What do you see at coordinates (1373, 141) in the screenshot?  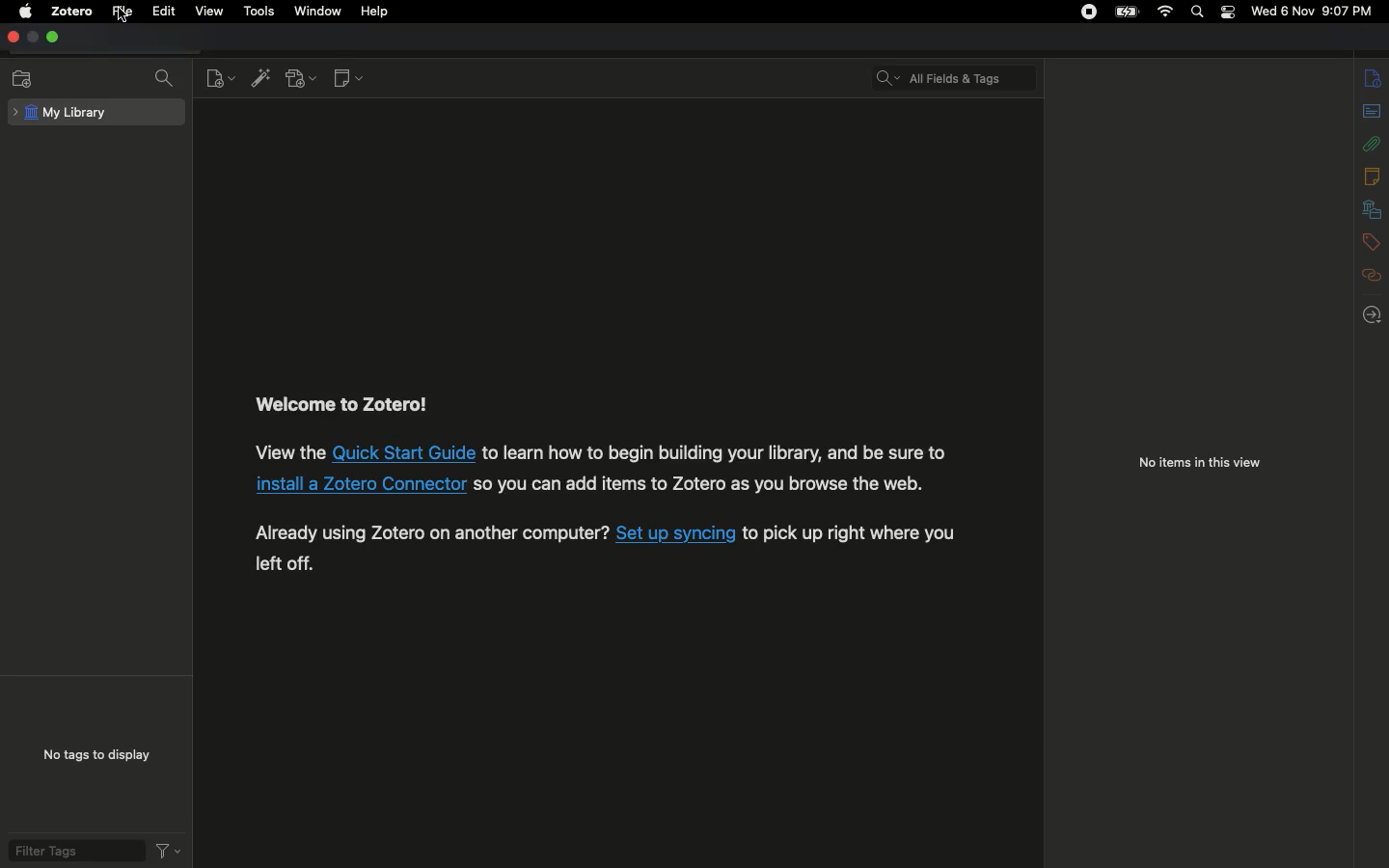 I see `Attachments` at bounding box center [1373, 141].